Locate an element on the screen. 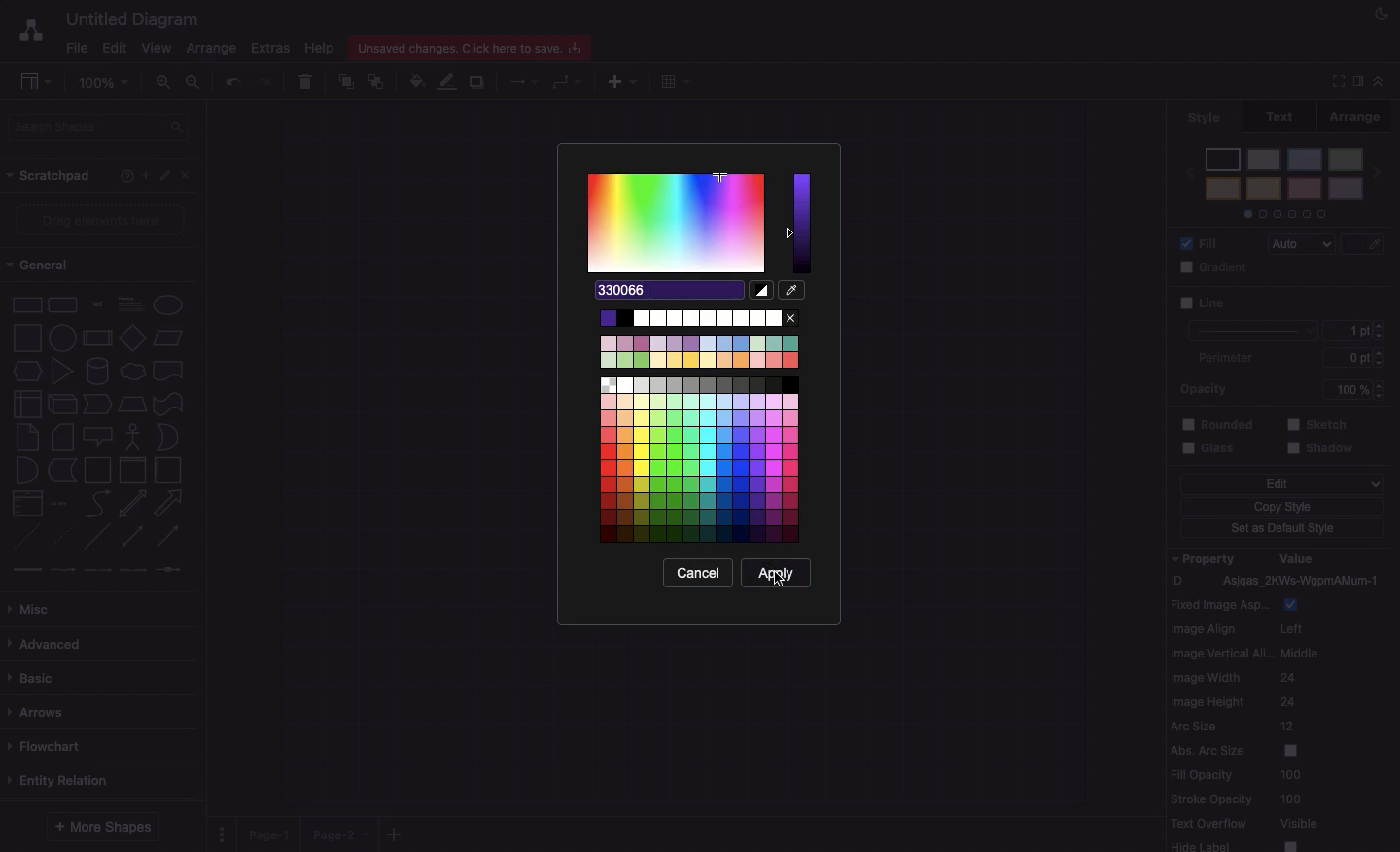 The width and height of the screenshot is (1400, 852). Extras is located at coordinates (270, 49).